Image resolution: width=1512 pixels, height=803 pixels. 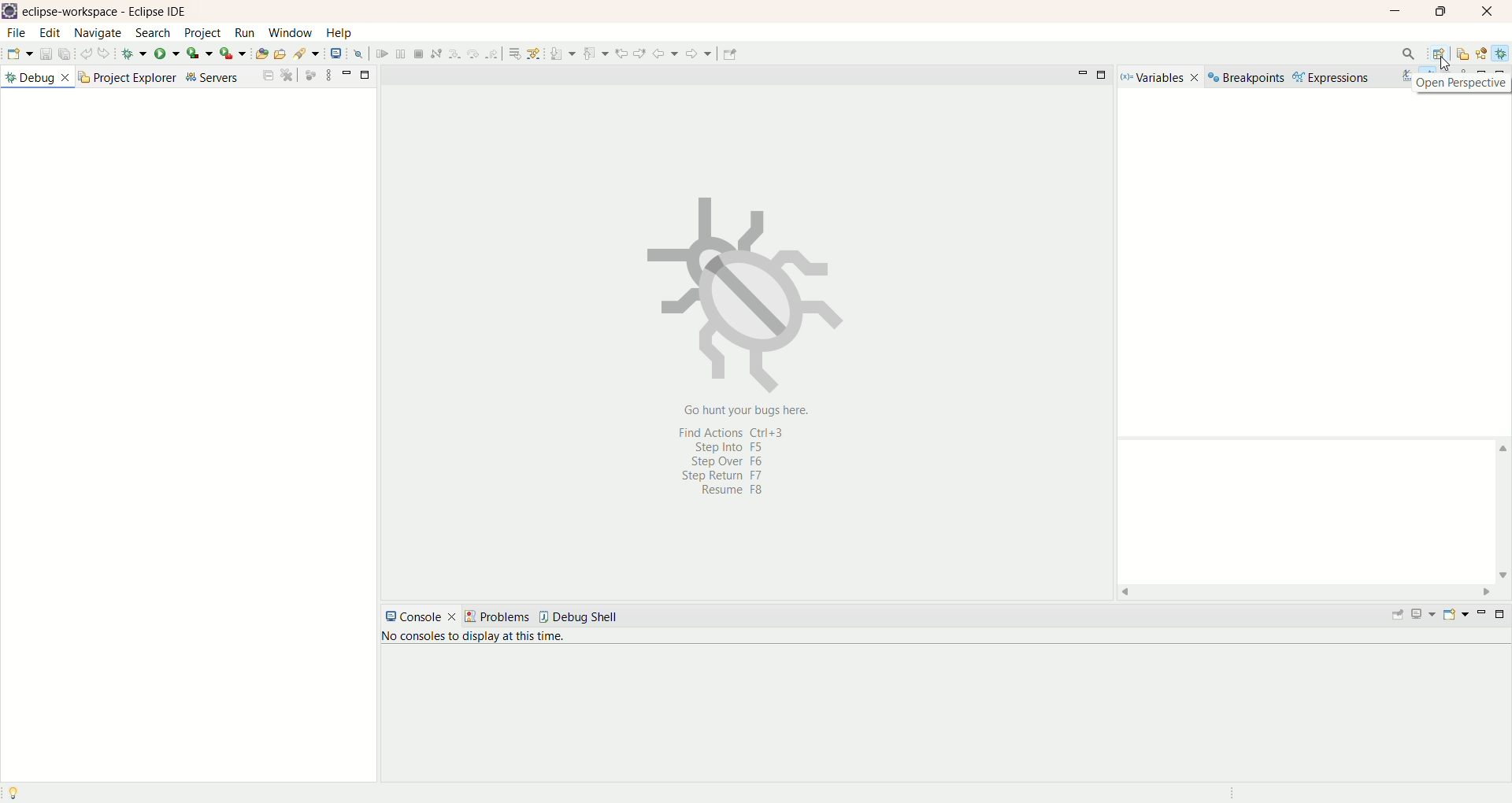 I want to click on debug, so click(x=135, y=54).